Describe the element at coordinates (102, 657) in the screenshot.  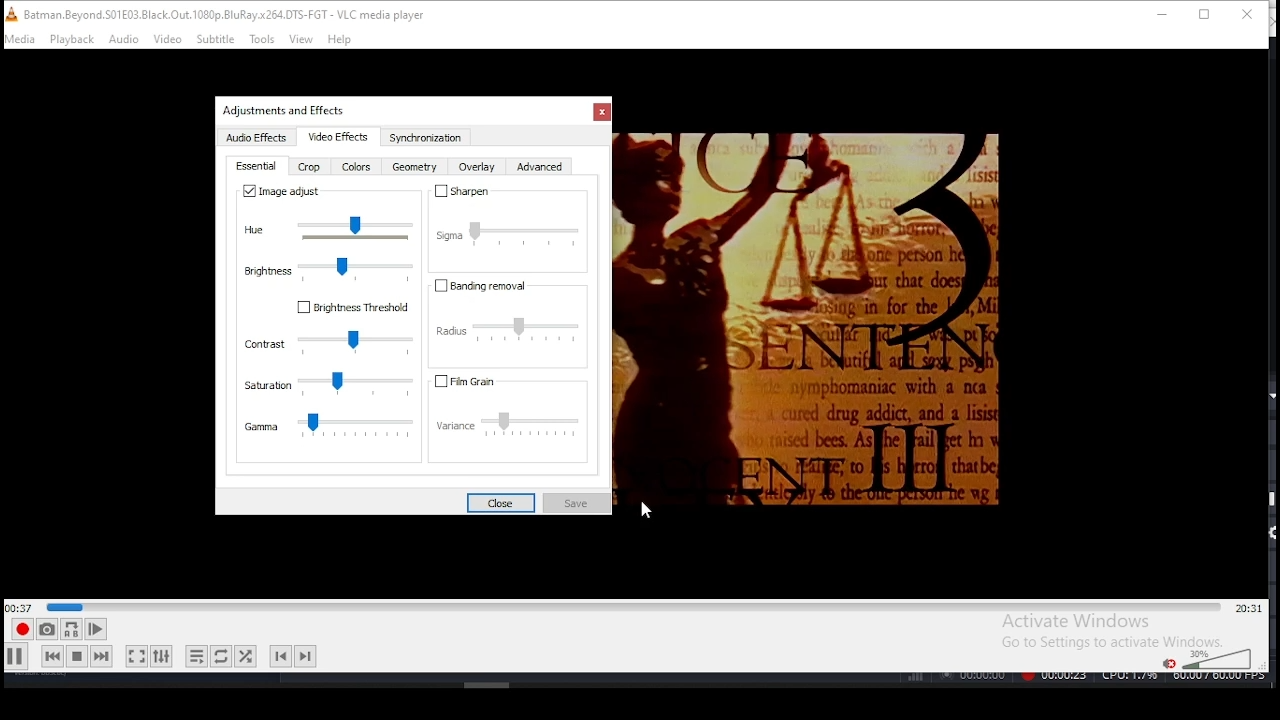
I see `next media in track, skips forward when held` at that location.